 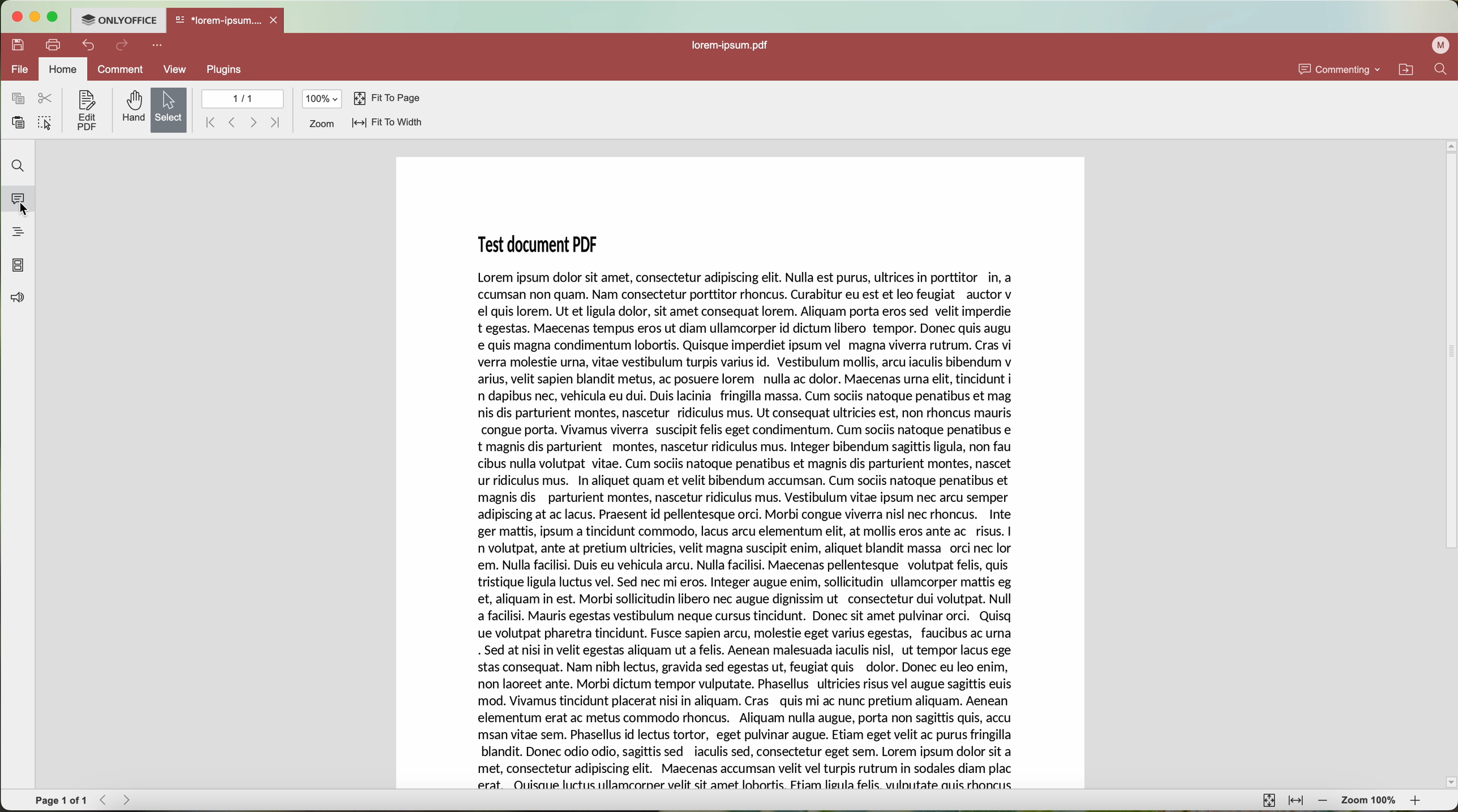 I want to click on more options, so click(x=158, y=46).